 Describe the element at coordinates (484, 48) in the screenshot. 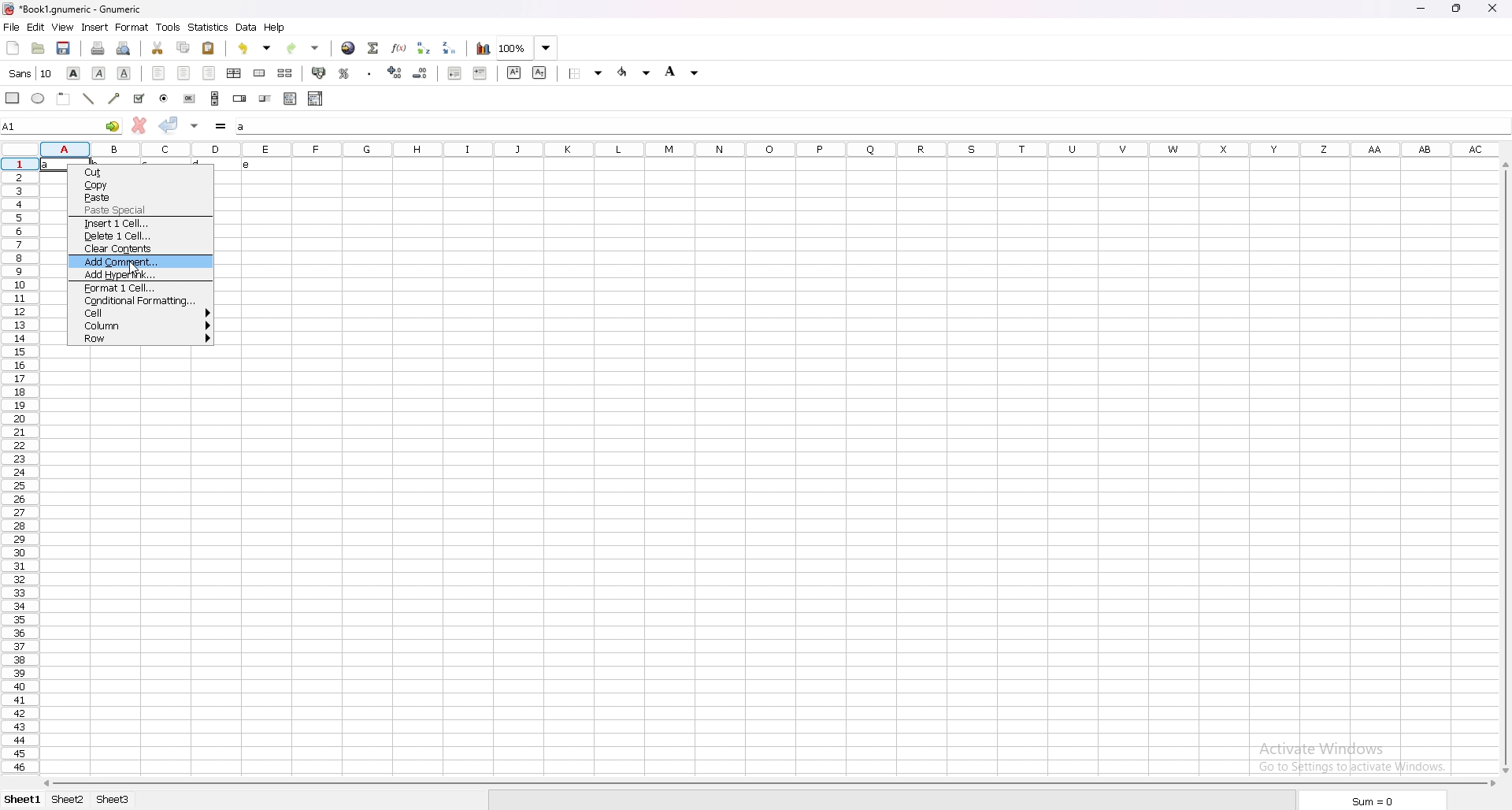

I see `chart` at that location.